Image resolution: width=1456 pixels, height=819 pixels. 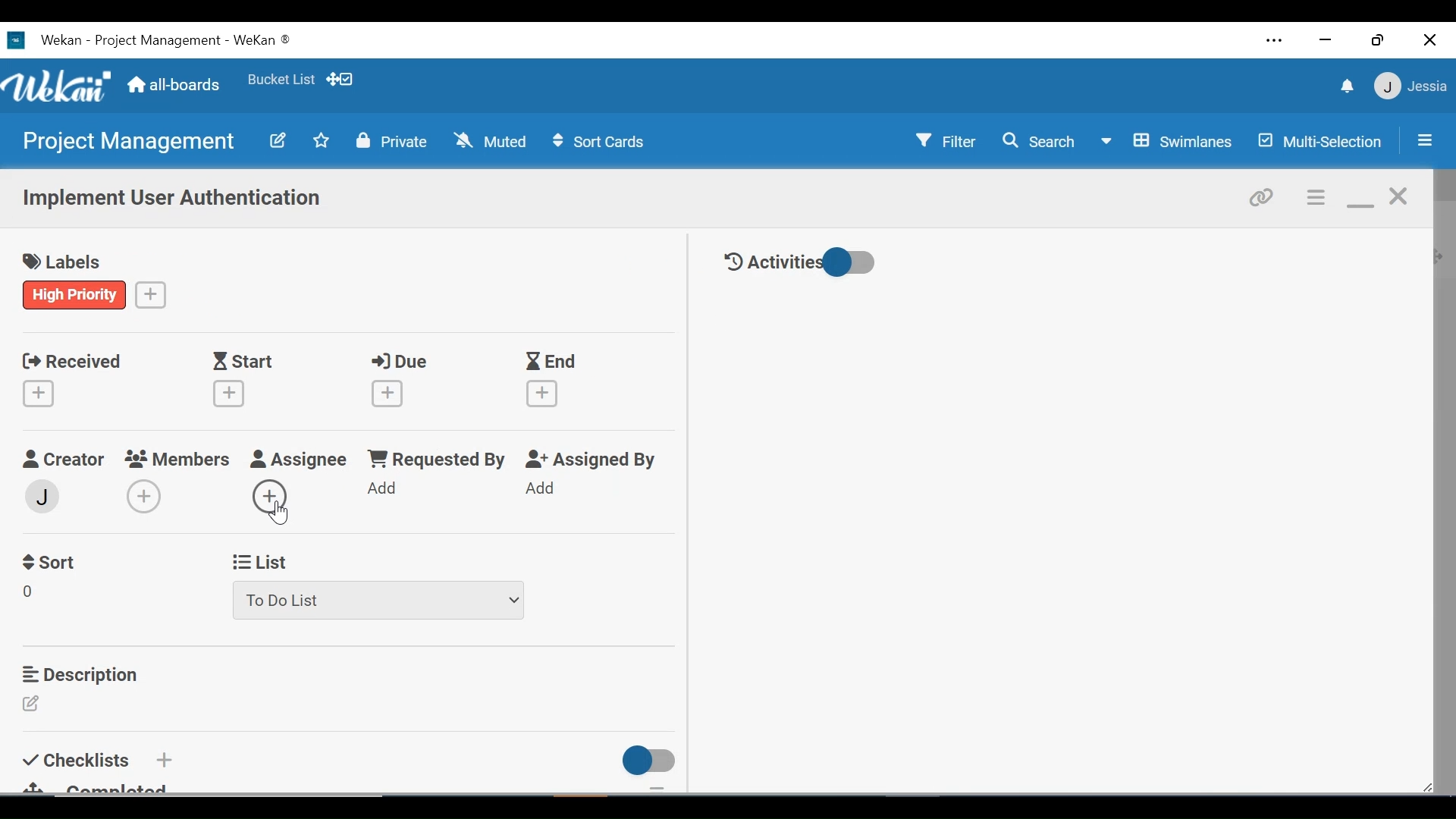 What do you see at coordinates (261, 560) in the screenshot?
I see `List` at bounding box center [261, 560].